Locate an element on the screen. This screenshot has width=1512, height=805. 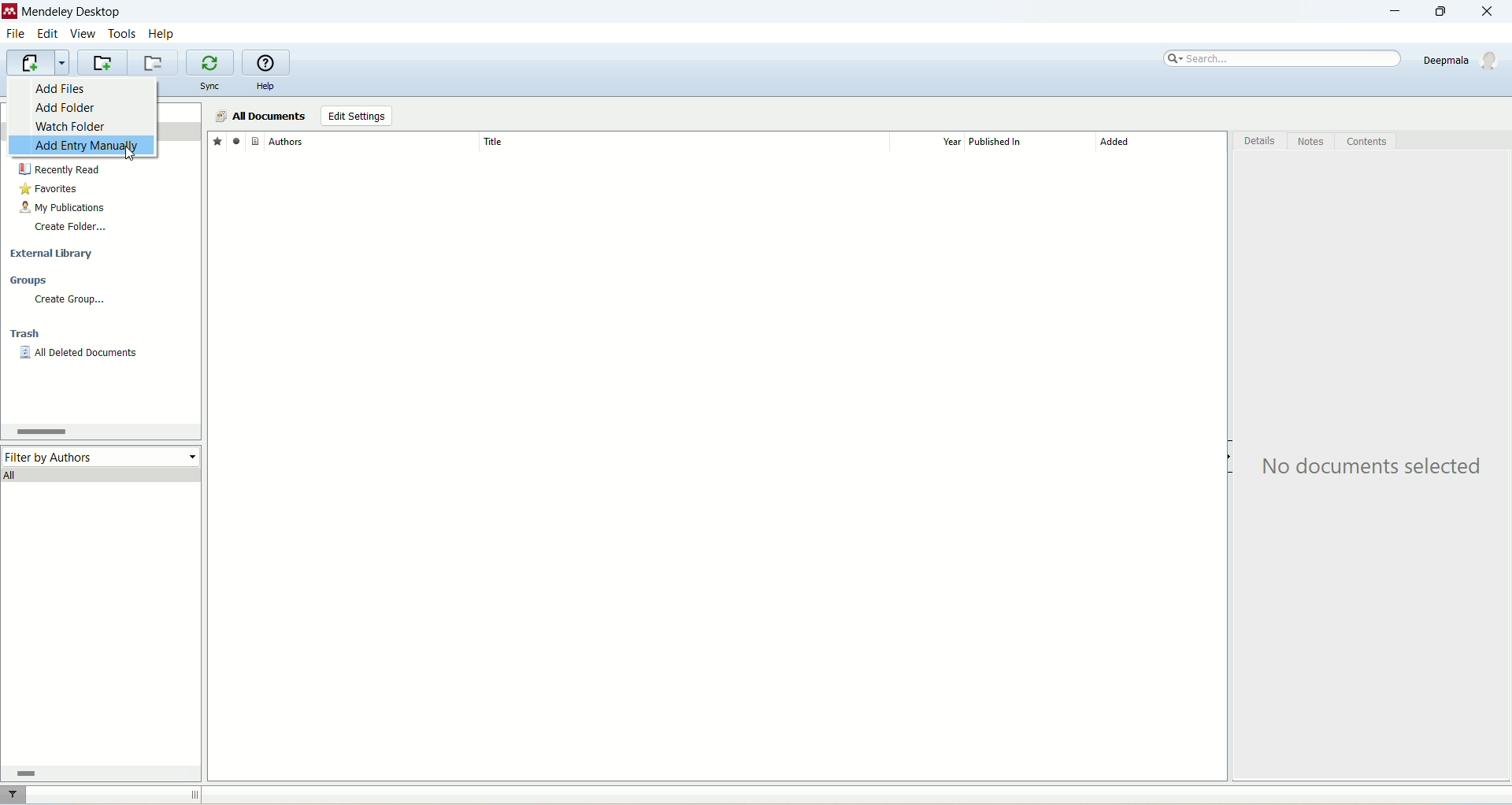
watch folder is located at coordinates (69, 127).